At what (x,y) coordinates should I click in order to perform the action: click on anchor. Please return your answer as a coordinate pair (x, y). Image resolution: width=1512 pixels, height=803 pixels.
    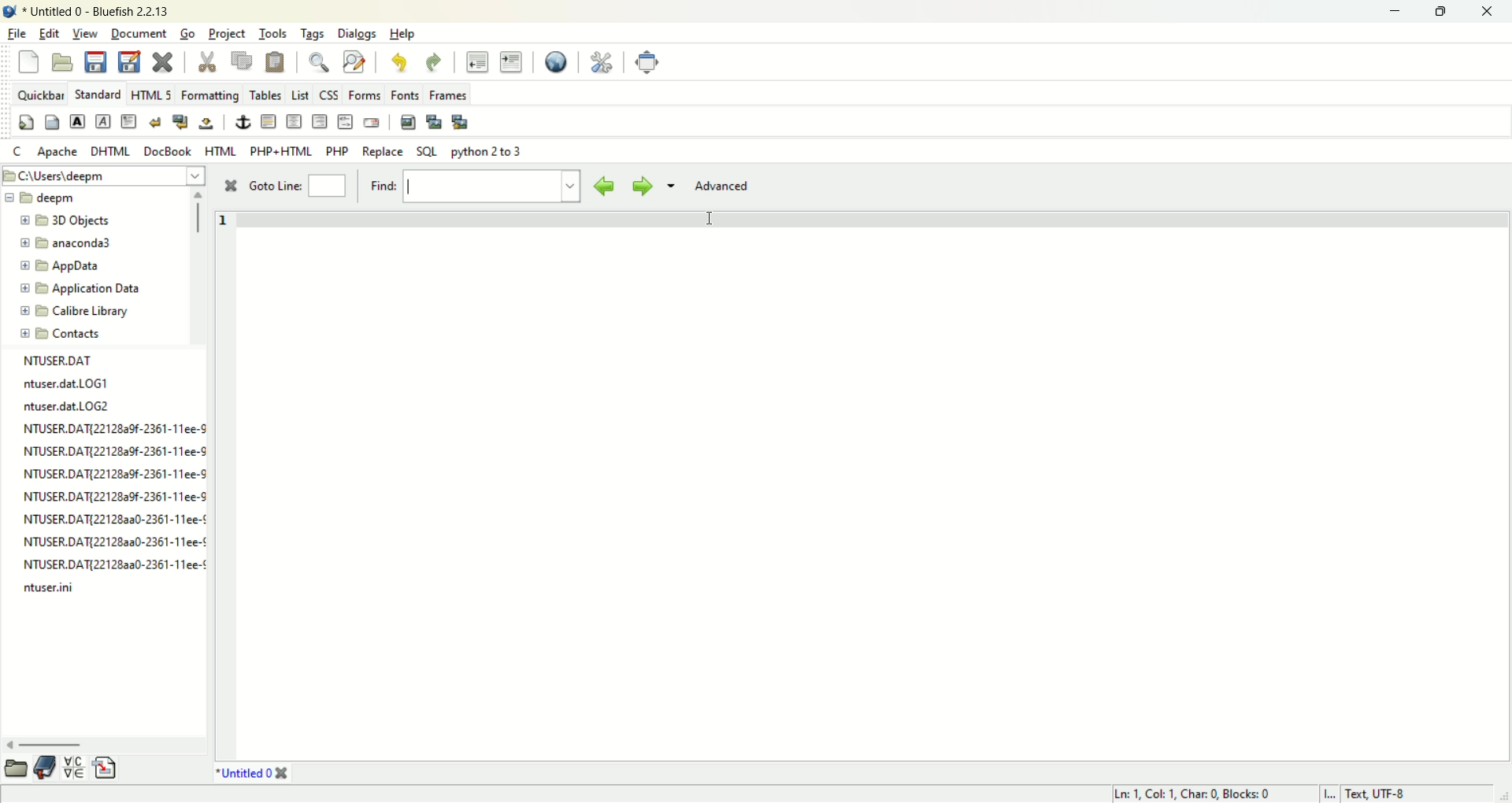
    Looking at the image, I should click on (240, 123).